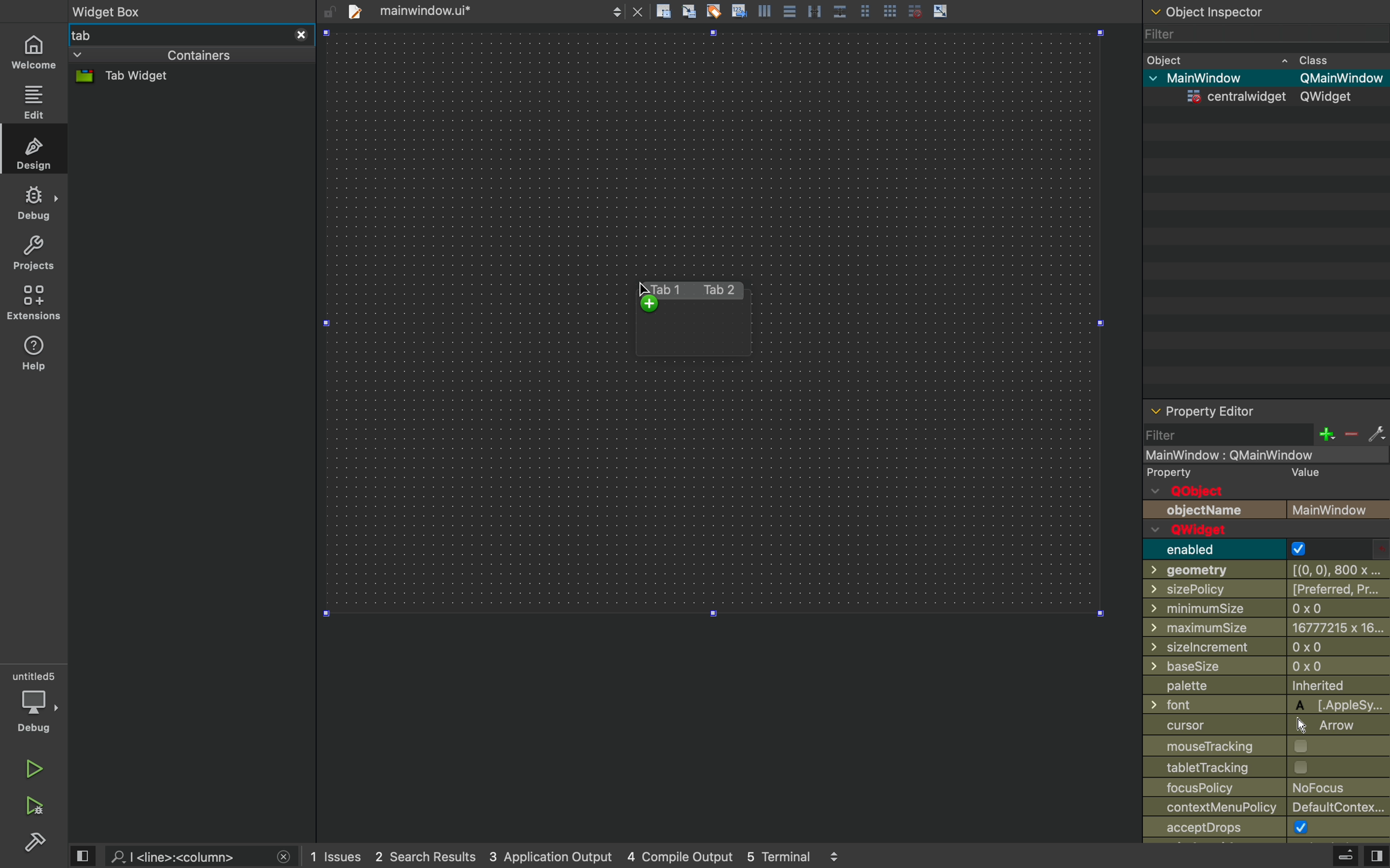  Describe the element at coordinates (814, 10) in the screenshot. I see `distribute horizontally` at that location.